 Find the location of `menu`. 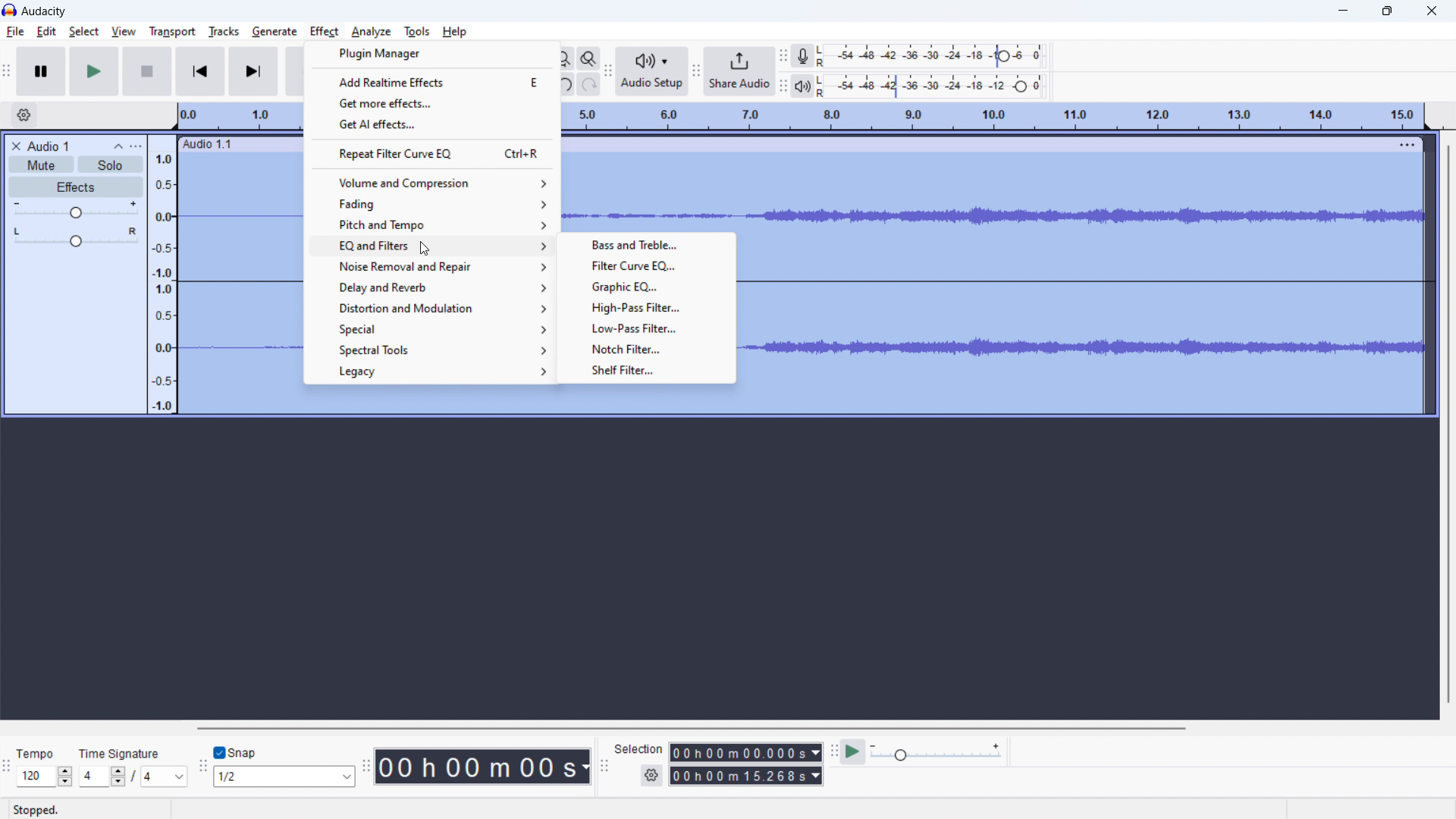

menu is located at coordinates (1406, 141).